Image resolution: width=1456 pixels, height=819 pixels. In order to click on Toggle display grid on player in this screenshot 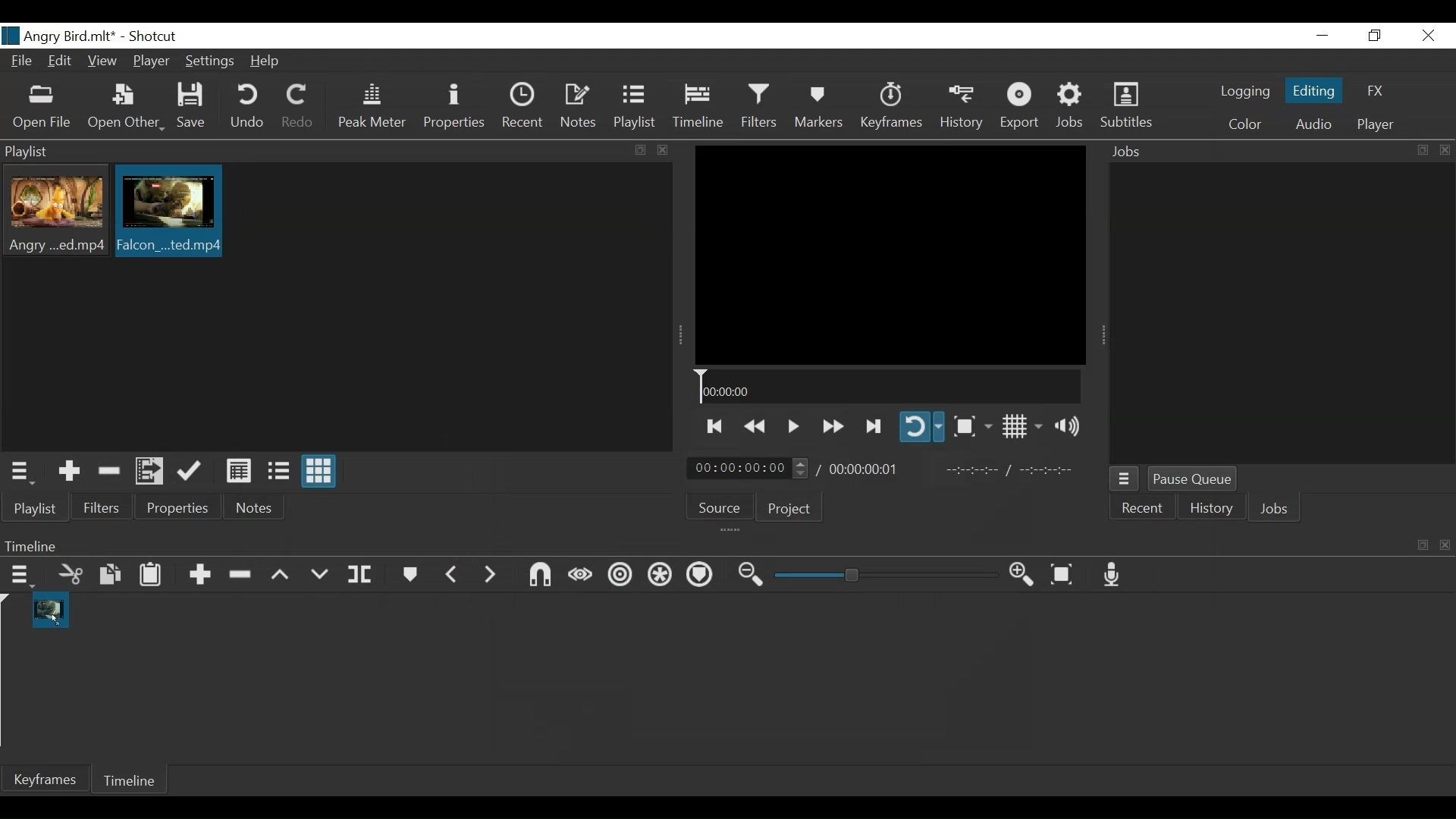, I will do `click(1025, 426)`.